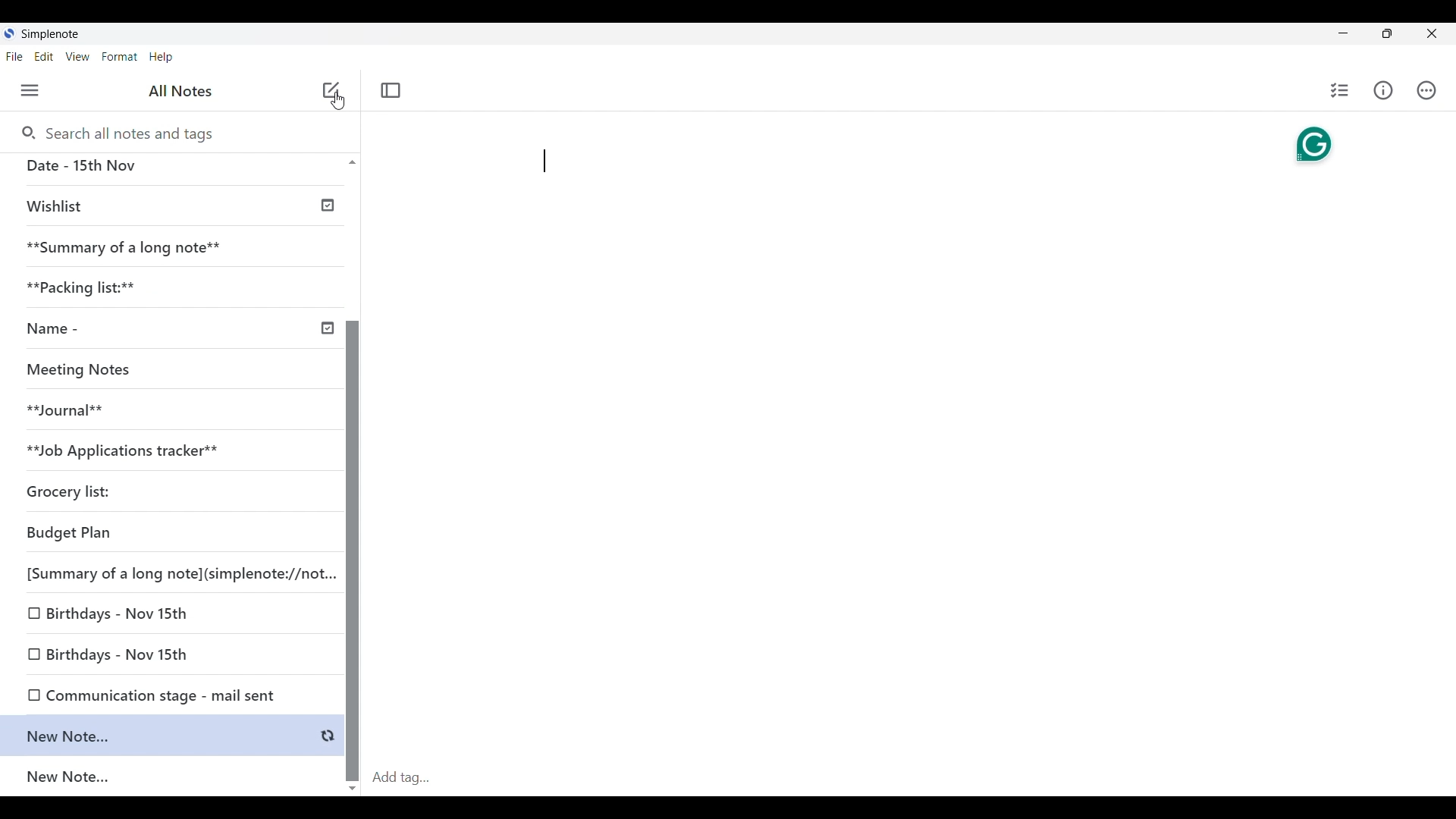 The width and height of the screenshot is (1456, 819). Describe the element at coordinates (30, 91) in the screenshot. I see `Menu` at that location.